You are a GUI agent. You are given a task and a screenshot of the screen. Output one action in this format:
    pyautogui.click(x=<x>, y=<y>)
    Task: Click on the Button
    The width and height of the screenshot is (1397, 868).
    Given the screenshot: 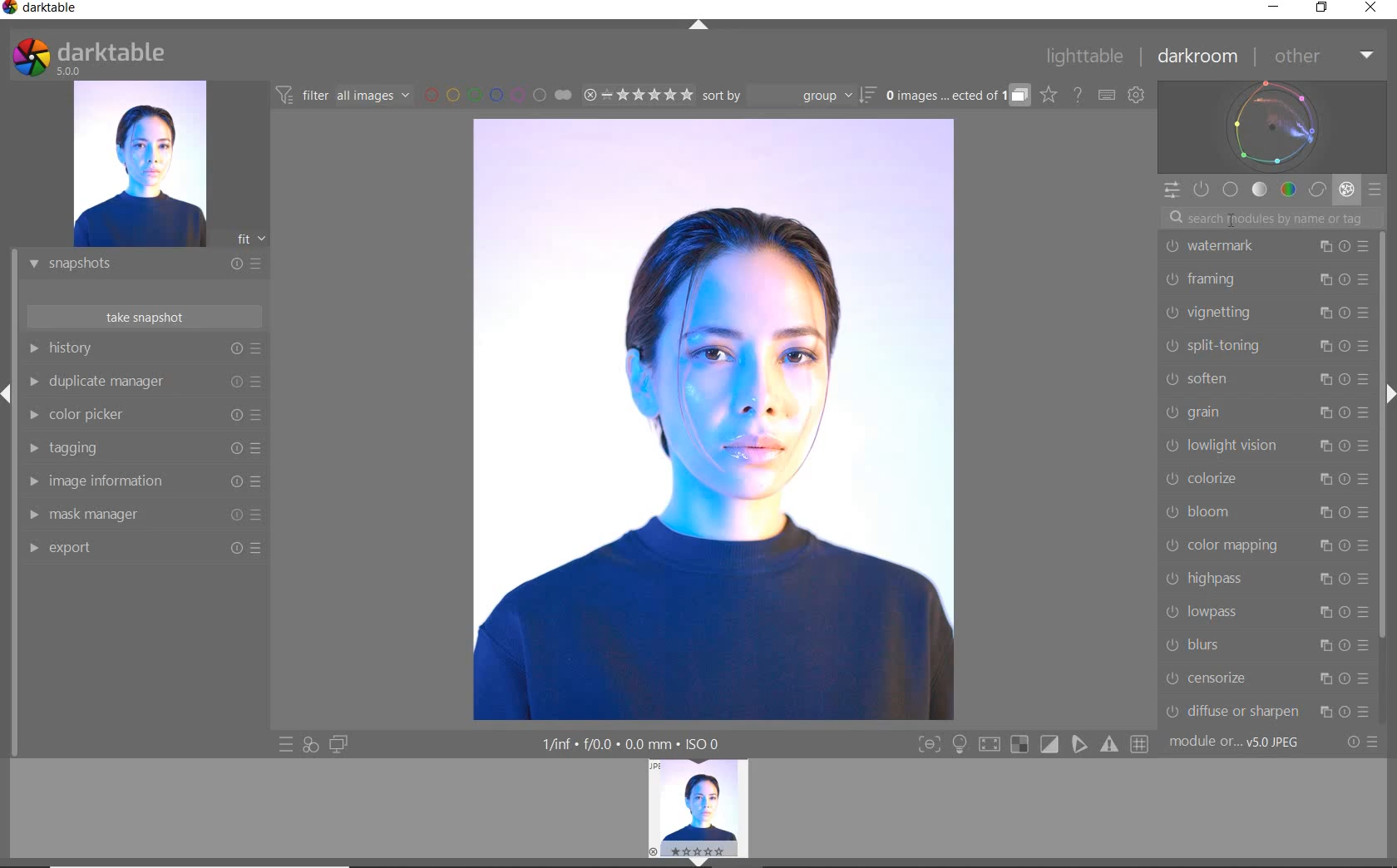 What is the action you would take?
    pyautogui.click(x=1111, y=744)
    